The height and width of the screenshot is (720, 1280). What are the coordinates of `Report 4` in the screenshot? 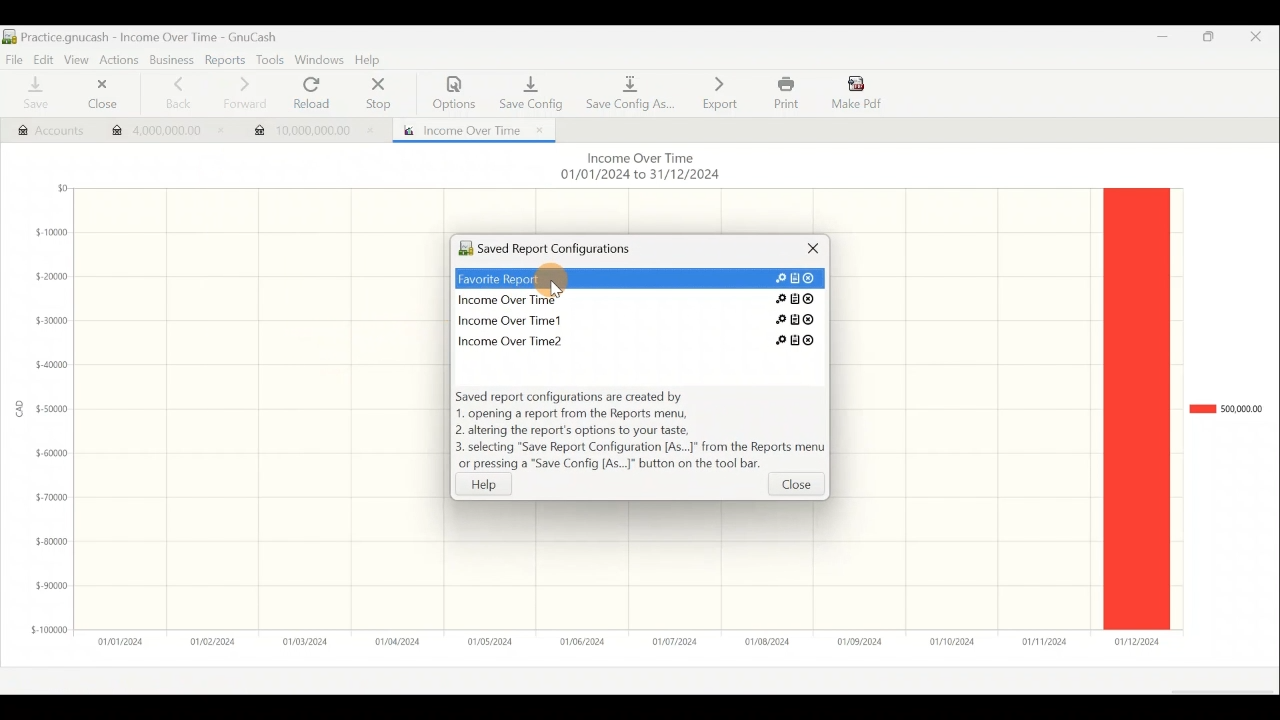 It's located at (632, 338).